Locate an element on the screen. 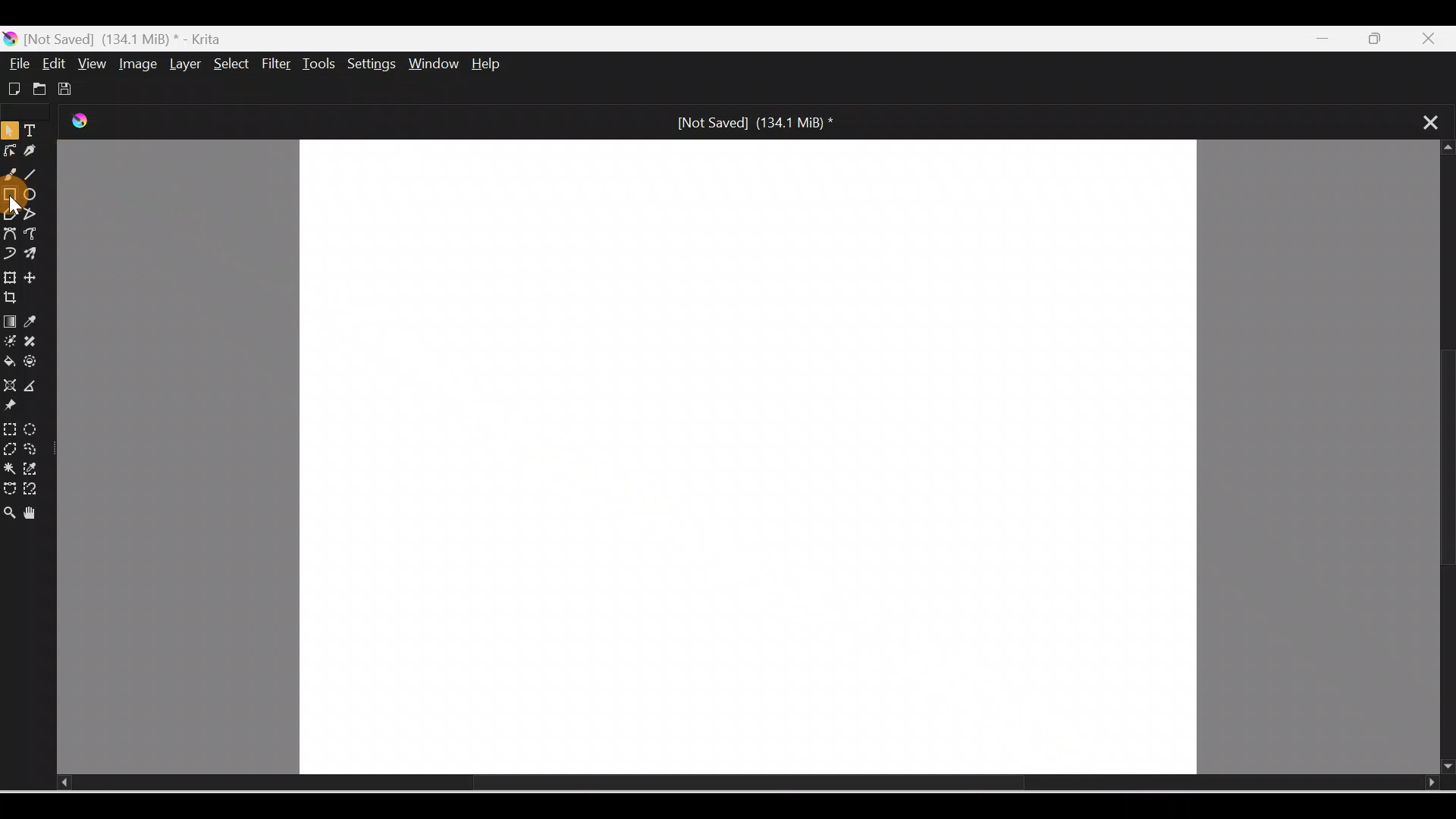 Image resolution: width=1456 pixels, height=819 pixels. Select is located at coordinates (227, 63).